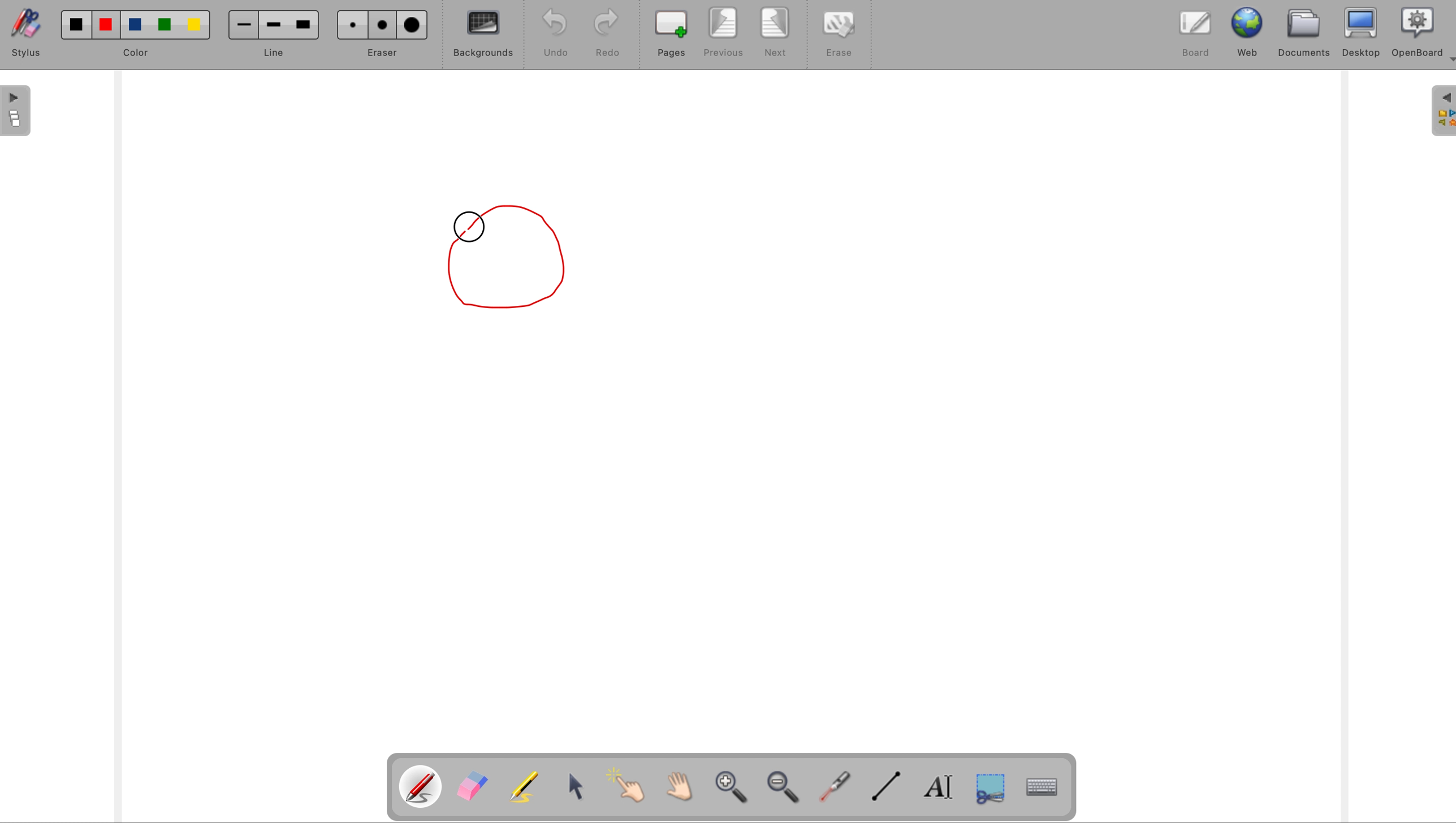 This screenshot has width=1456, height=823. What do you see at coordinates (1415, 33) in the screenshot?
I see `openboard` at bounding box center [1415, 33].